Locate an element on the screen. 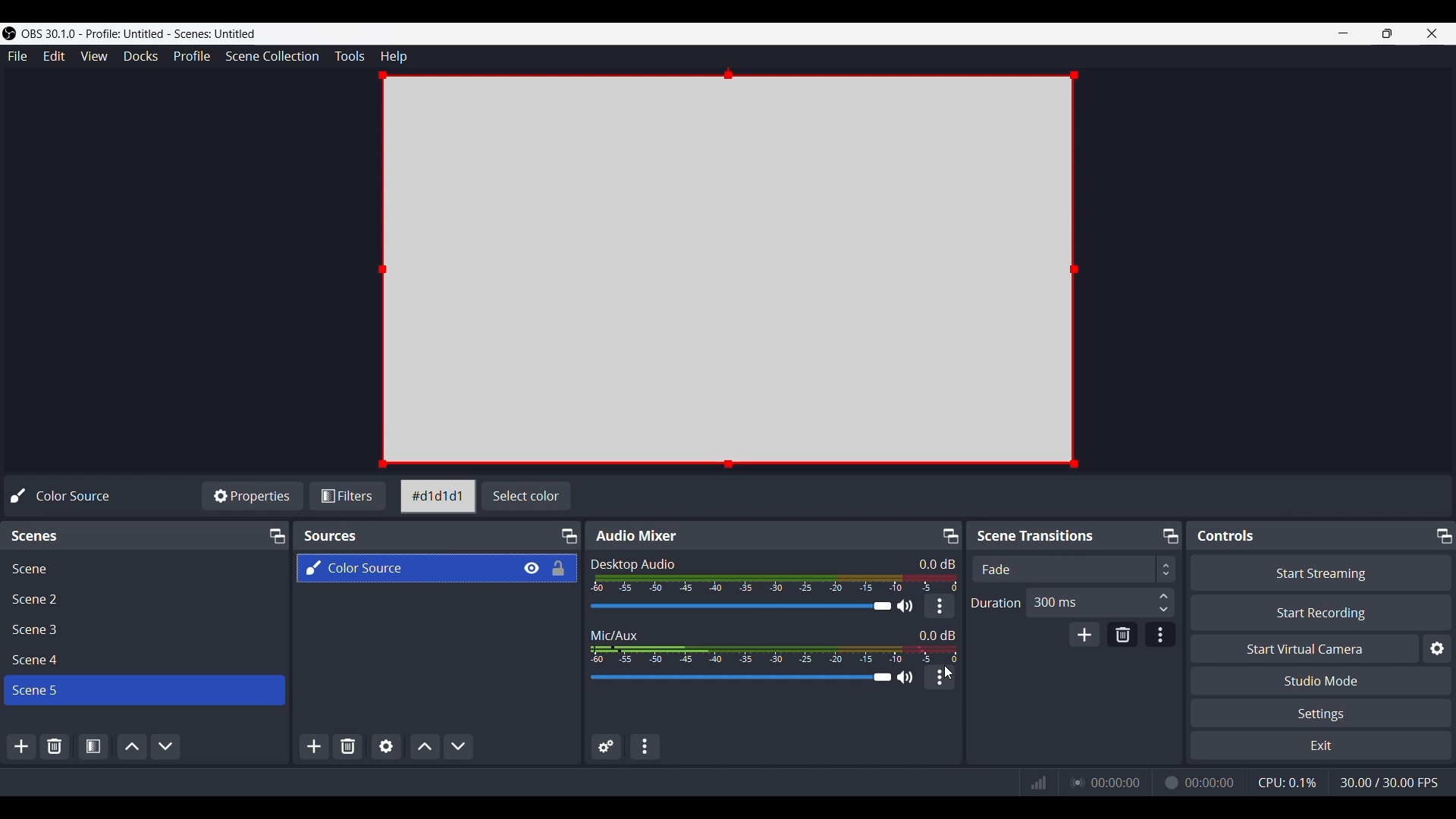 The height and width of the screenshot is (819, 1456). Add Configurable transition is located at coordinates (1084, 634).